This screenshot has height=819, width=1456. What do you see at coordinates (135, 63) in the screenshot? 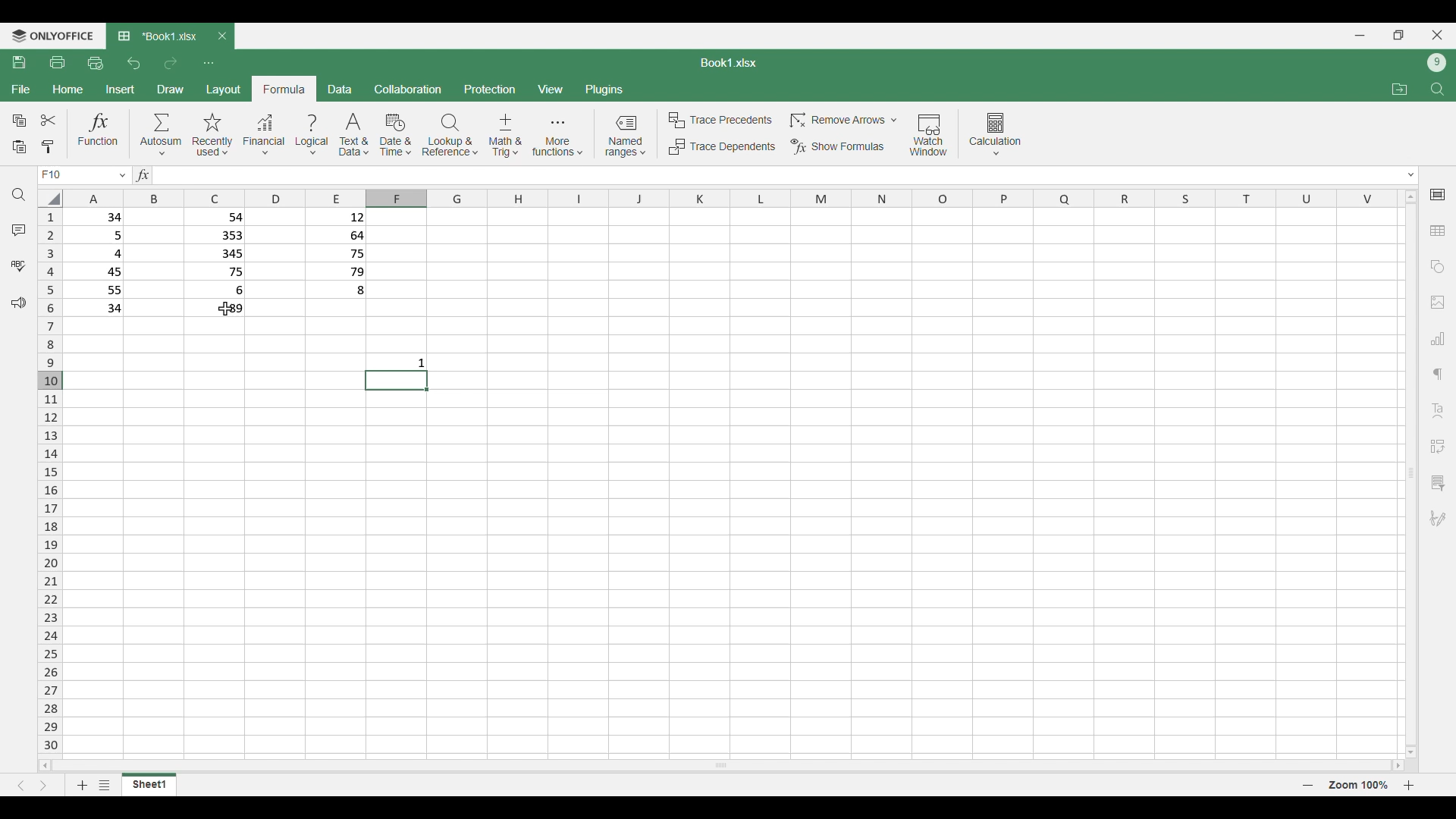
I see `Undo` at bounding box center [135, 63].